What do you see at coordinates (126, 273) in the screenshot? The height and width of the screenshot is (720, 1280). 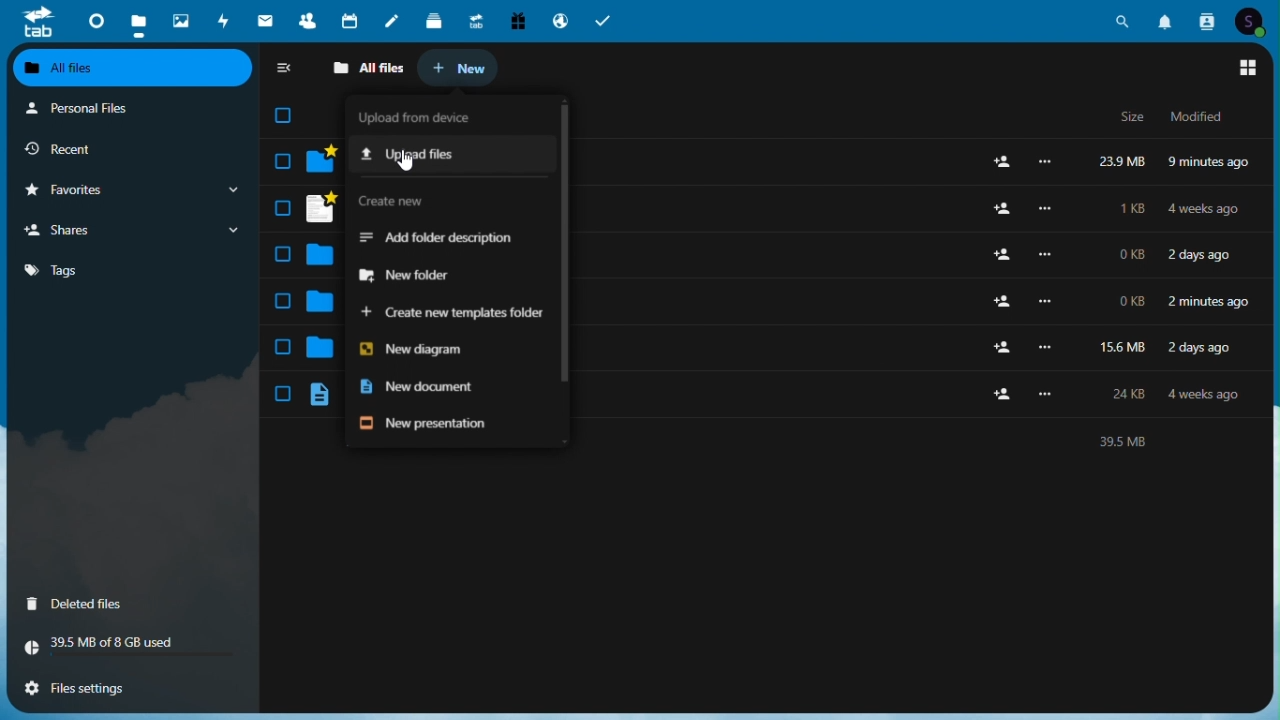 I see `Tags` at bounding box center [126, 273].